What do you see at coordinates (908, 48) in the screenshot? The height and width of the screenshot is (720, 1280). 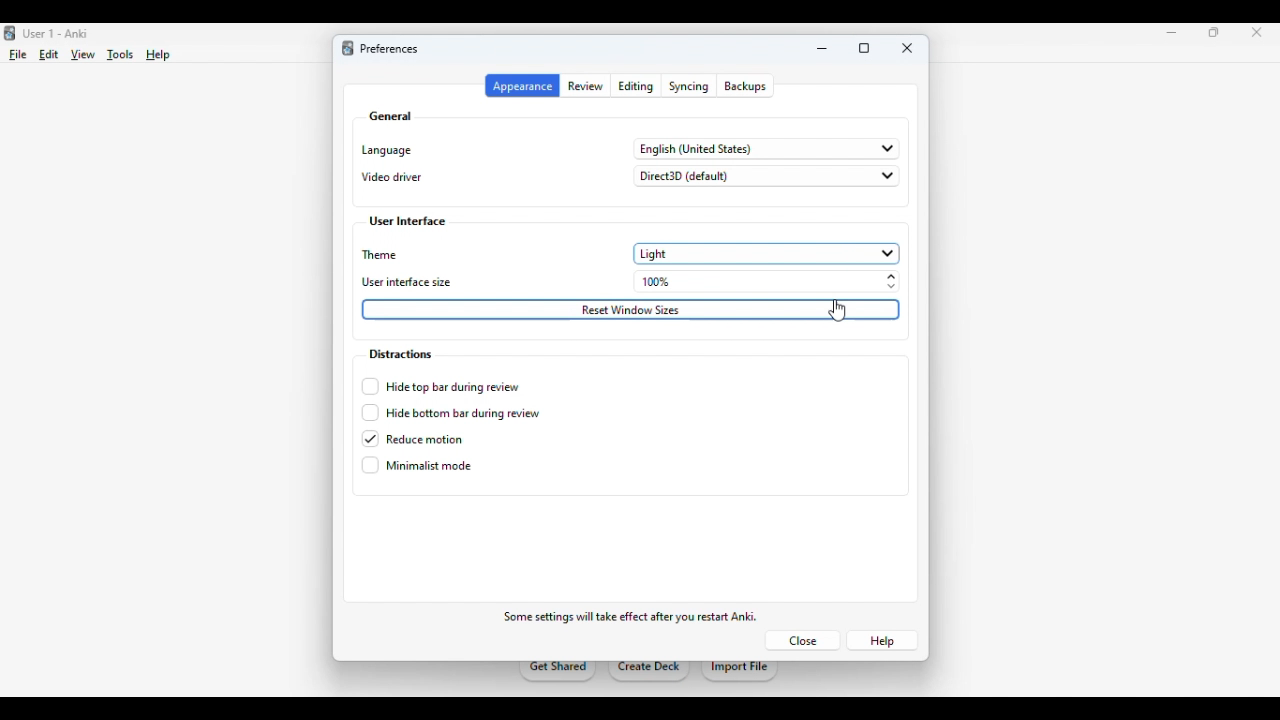 I see `close` at bounding box center [908, 48].